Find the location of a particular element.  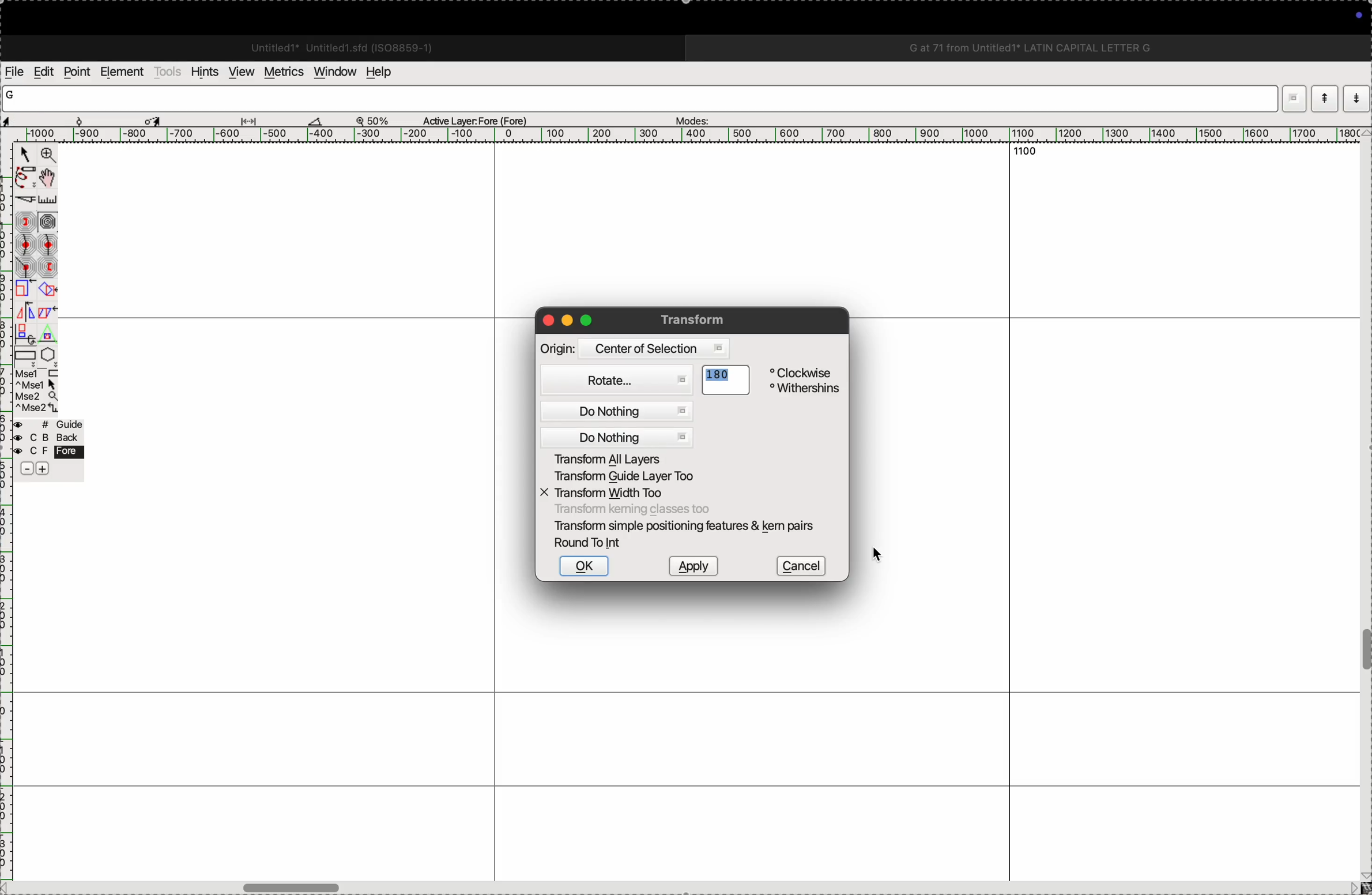

Pan is located at coordinates (47, 179).